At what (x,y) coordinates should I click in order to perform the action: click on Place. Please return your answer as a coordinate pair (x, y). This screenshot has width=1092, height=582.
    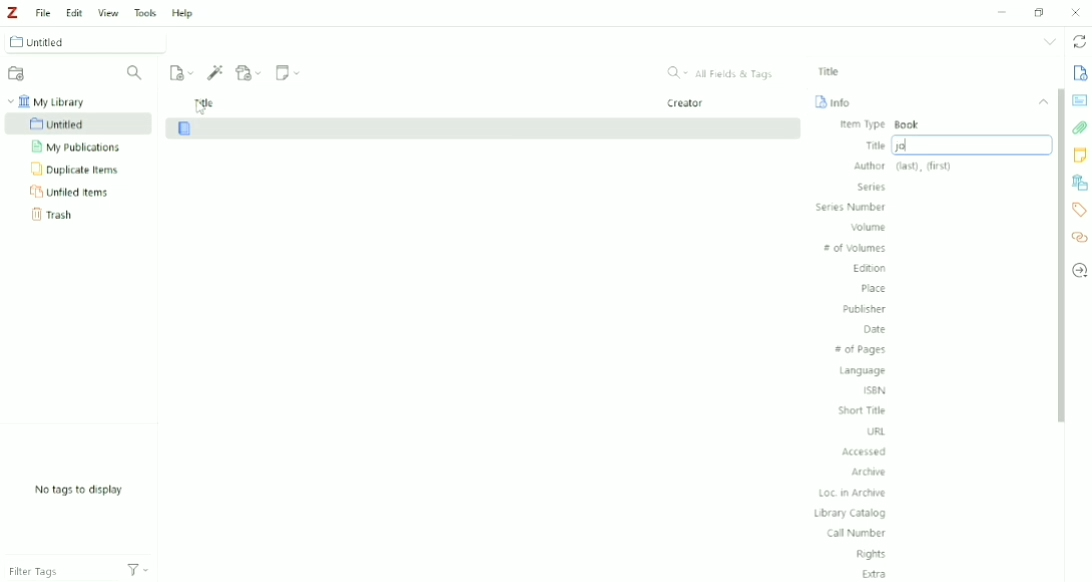
    Looking at the image, I should click on (872, 289).